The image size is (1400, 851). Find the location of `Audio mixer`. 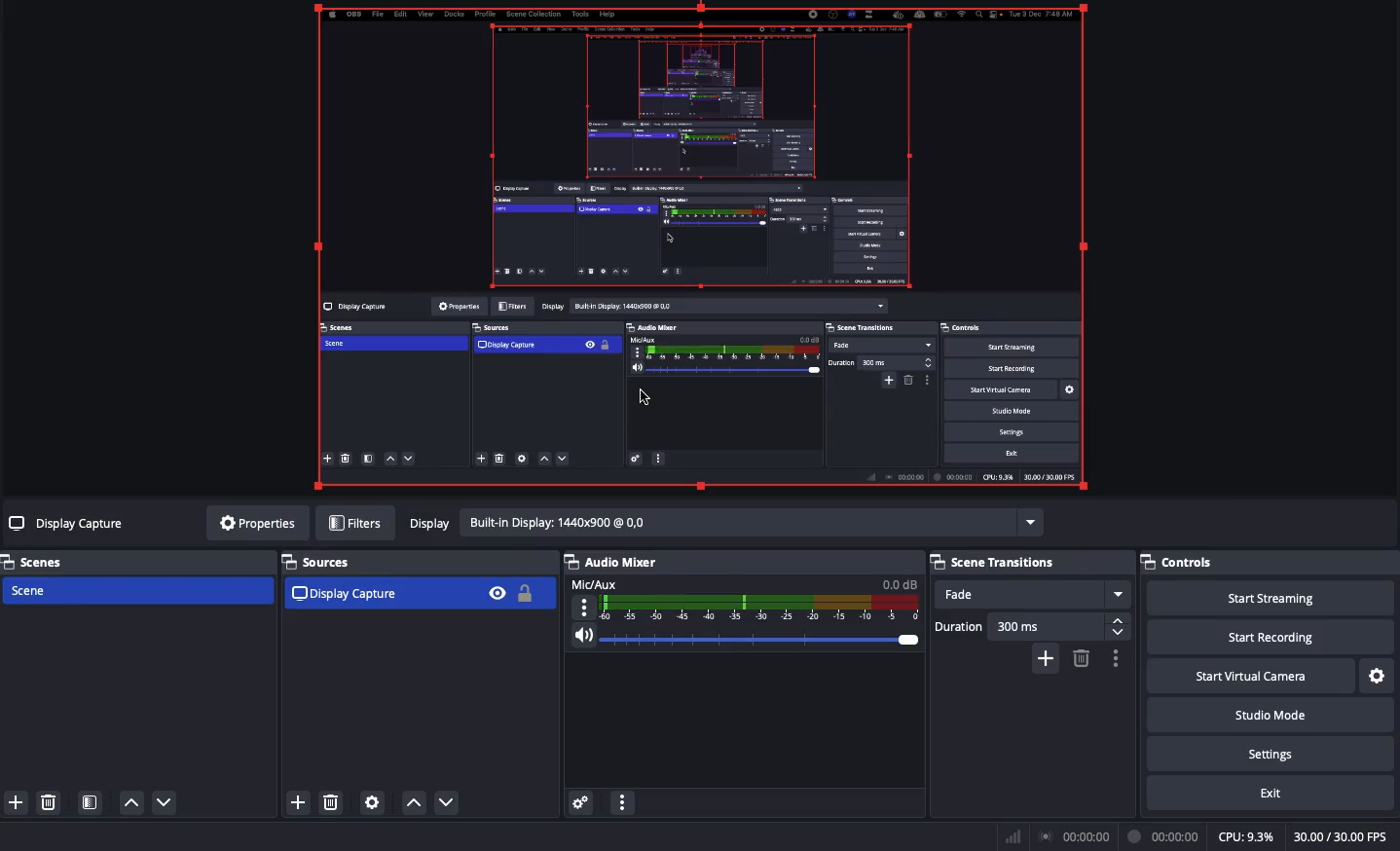

Audio mixer is located at coordinates (613, 561).